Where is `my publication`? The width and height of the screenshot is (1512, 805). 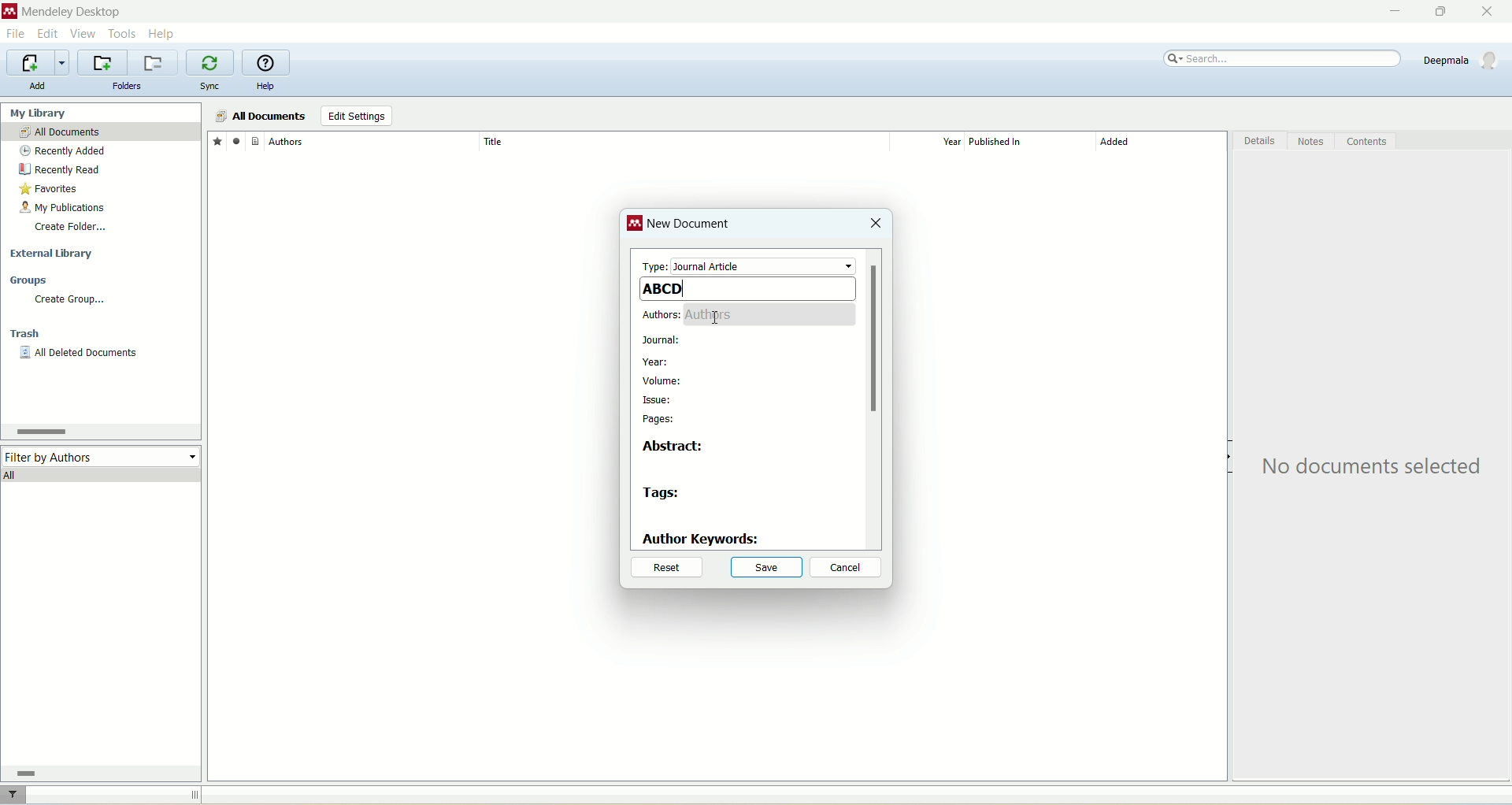 my publication is located at coordinates (65, 209).